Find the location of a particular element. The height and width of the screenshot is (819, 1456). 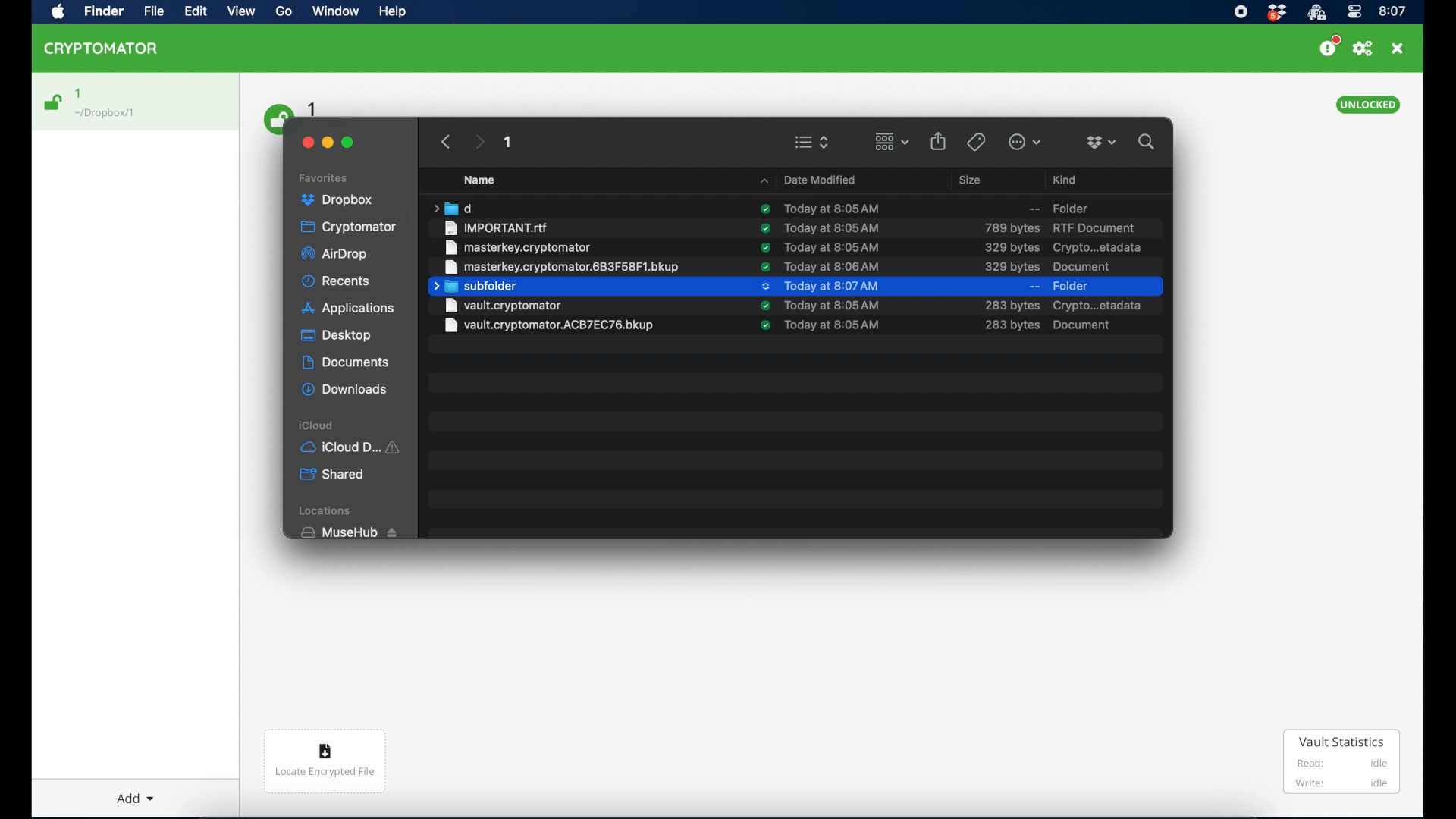

1 is located at coordinates (509, 144).